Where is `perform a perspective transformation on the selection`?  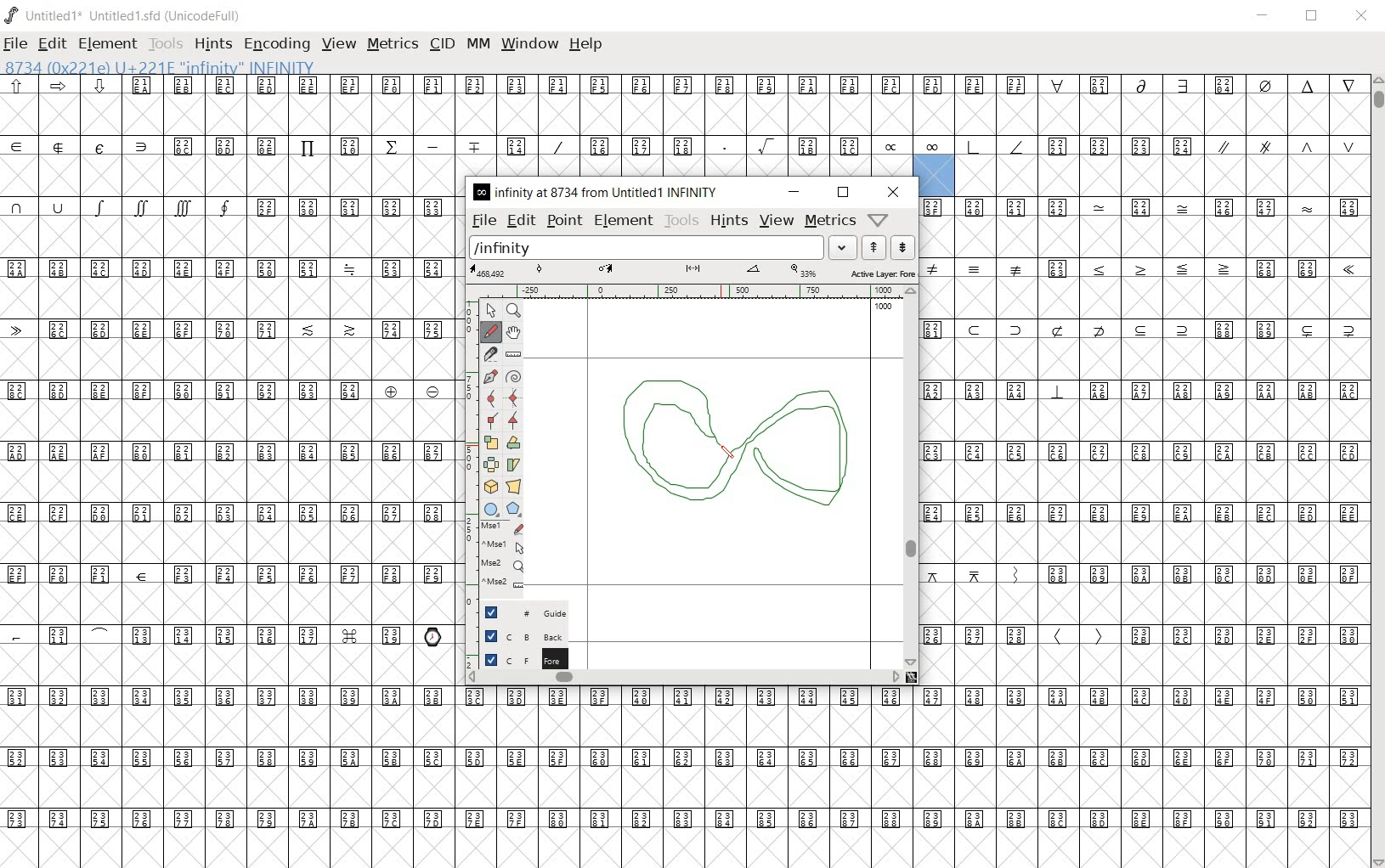 perform a perspective transformation on the selection is located at coordinates (514, 486).